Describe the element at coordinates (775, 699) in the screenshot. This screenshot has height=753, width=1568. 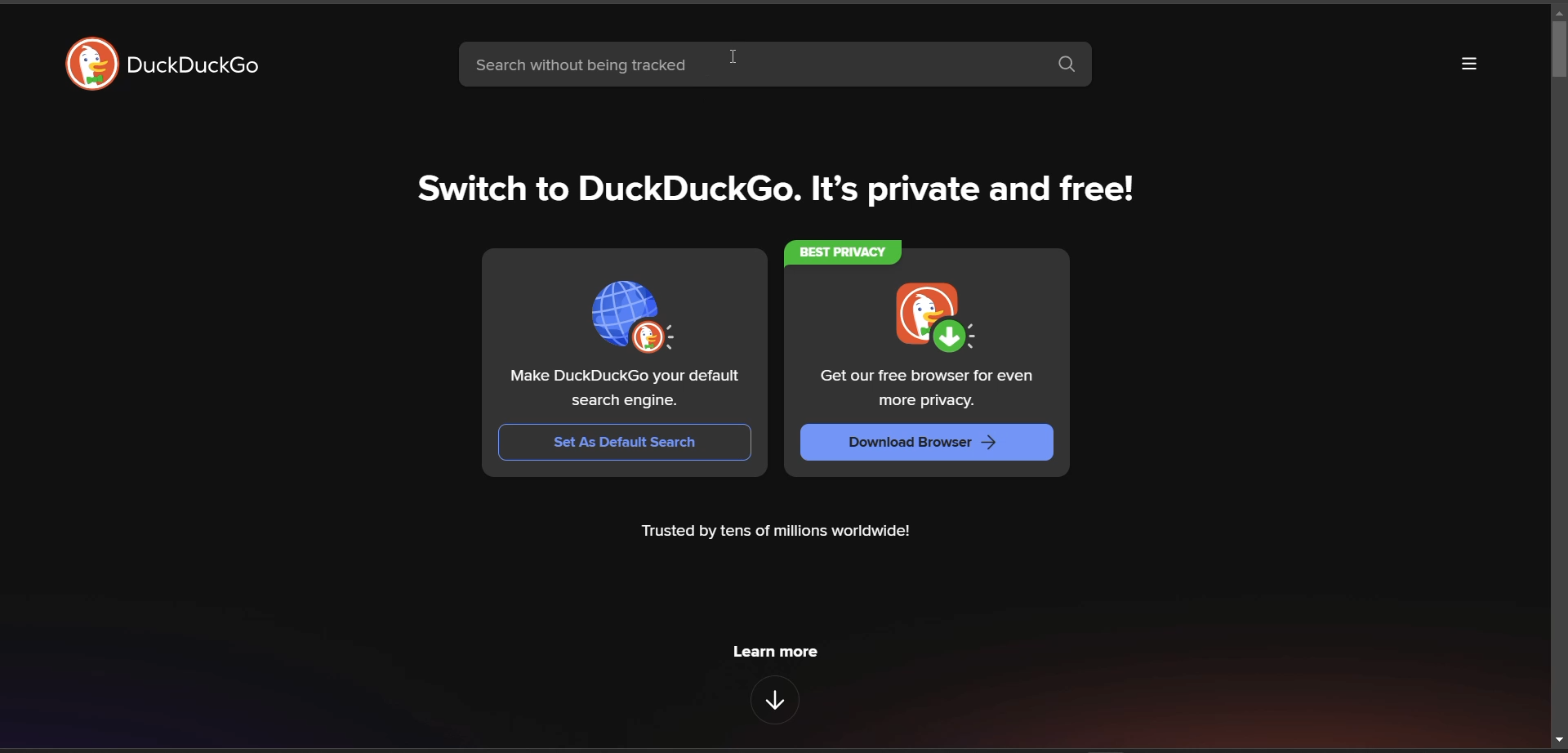
I see `features` at that location.